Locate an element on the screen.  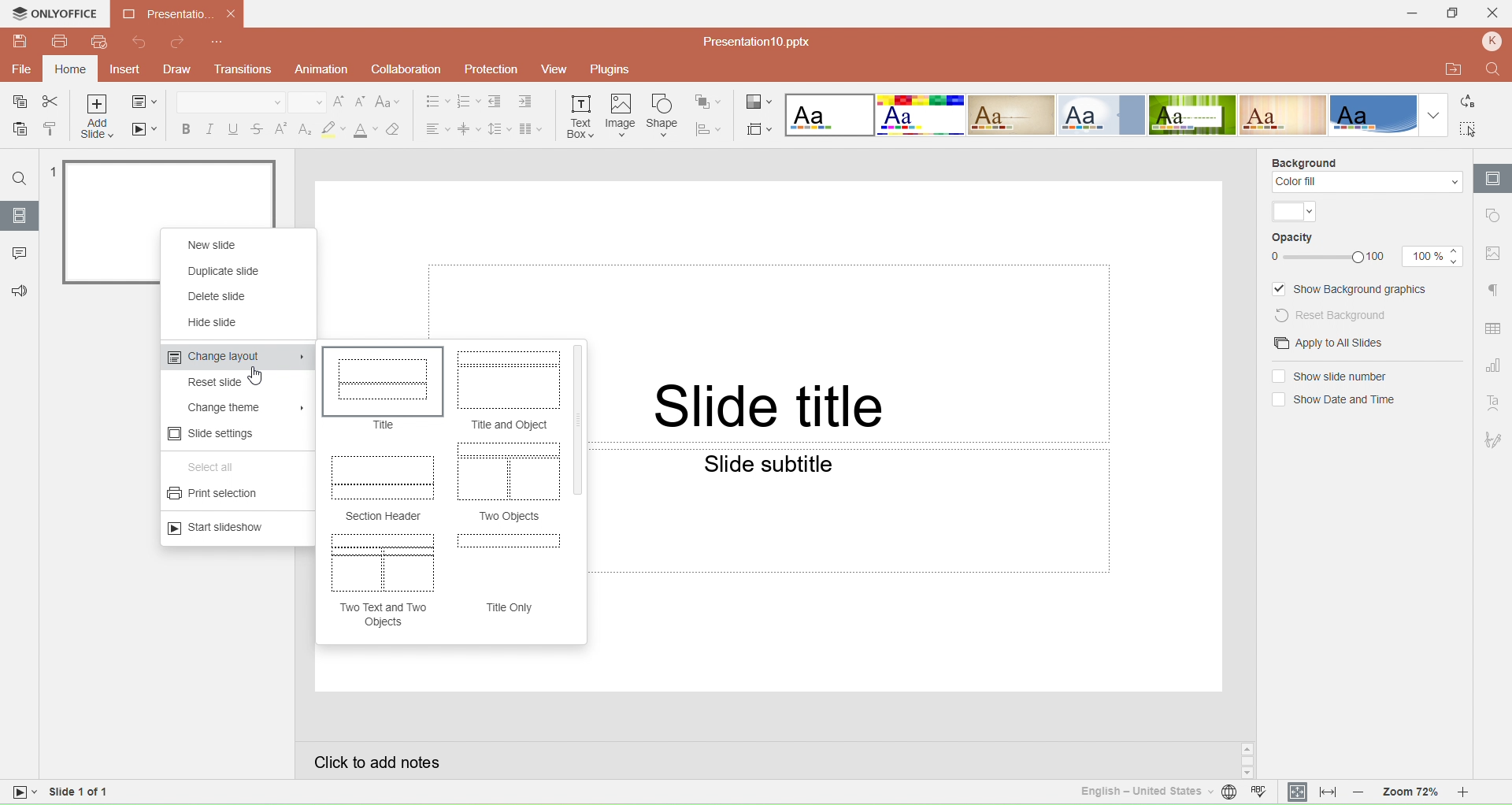
Hide slide is located at coordinates (217, 322).